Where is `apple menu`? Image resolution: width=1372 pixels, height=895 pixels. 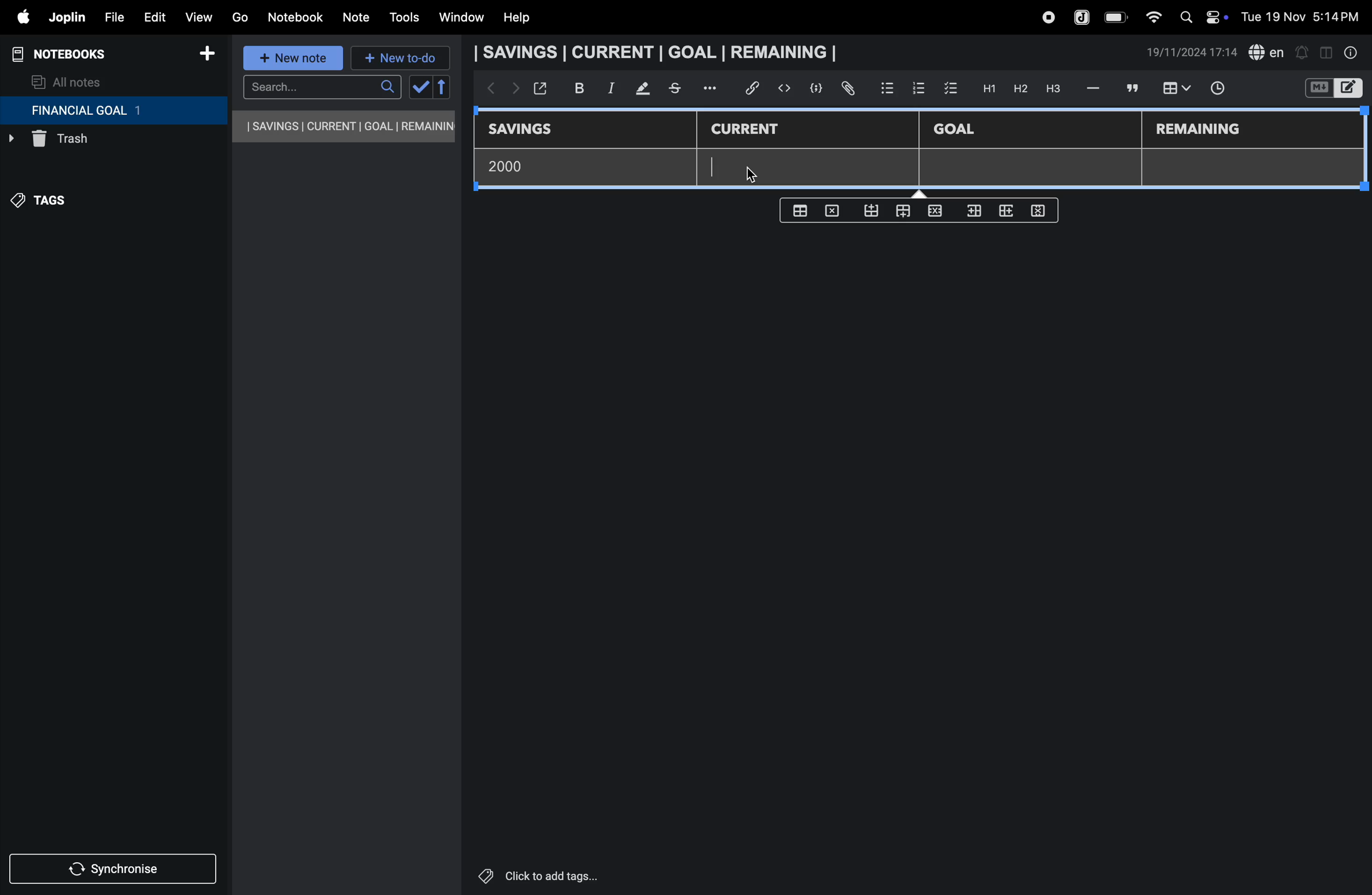 apple menu is located at coordinates (17, 17).